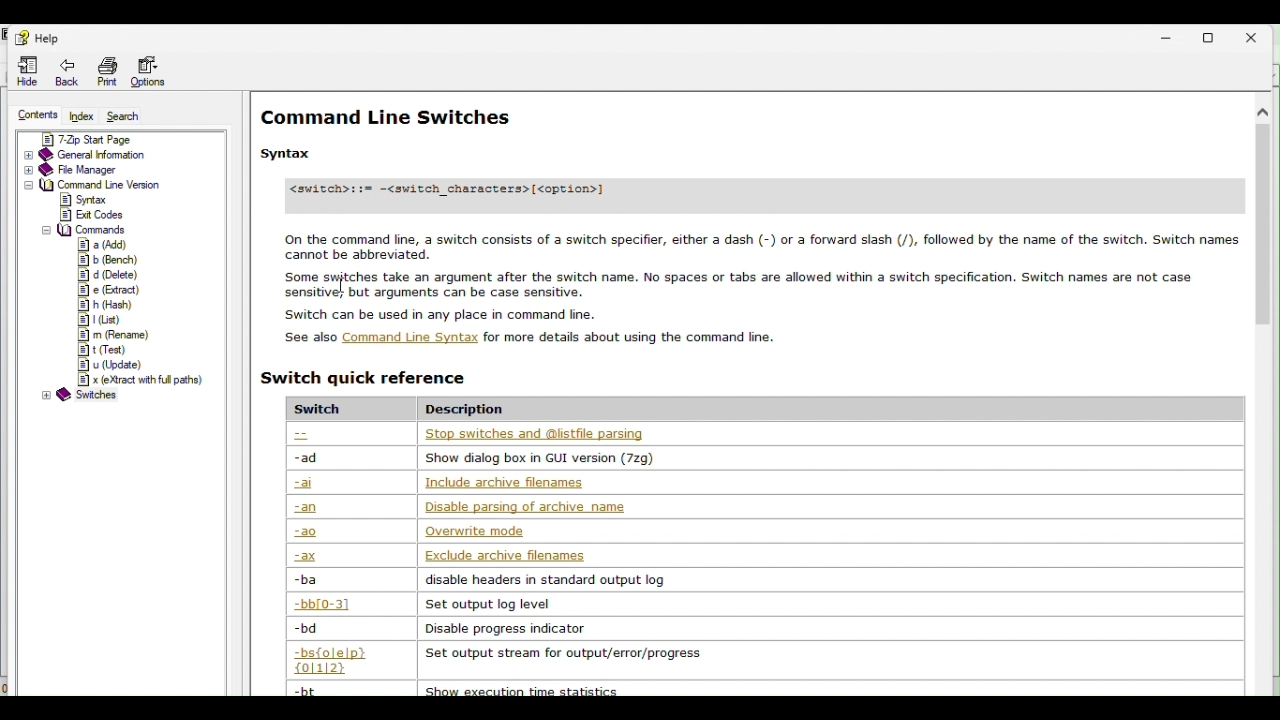 Image resolution: width=1280 pixels, height=720 pixels. What do you see at coordinates (304, 631) in the screenshot?
I see `-bd` at bounding box center [304, 631].